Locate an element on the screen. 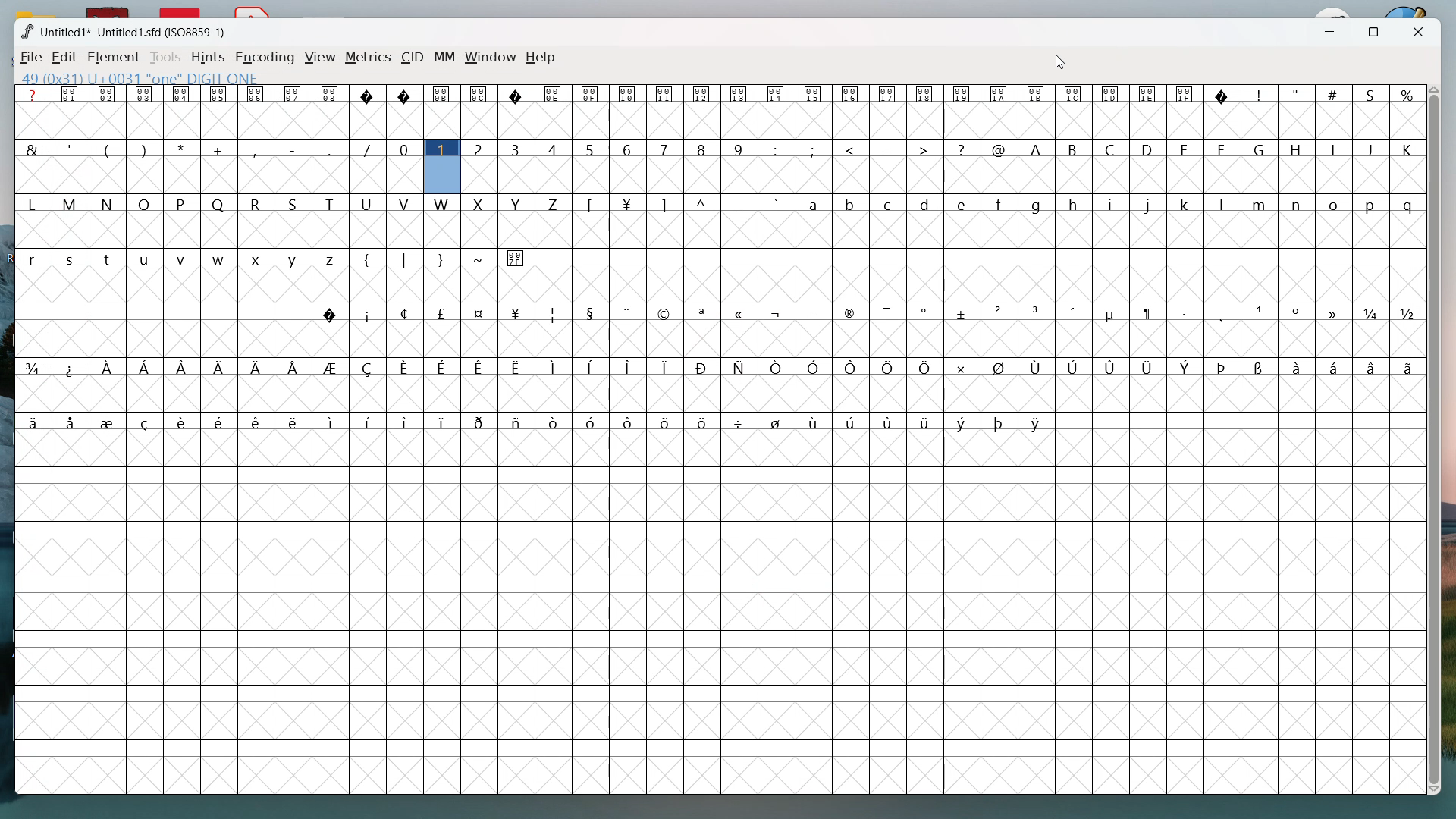  symbol is located at coordinates (481, 312).